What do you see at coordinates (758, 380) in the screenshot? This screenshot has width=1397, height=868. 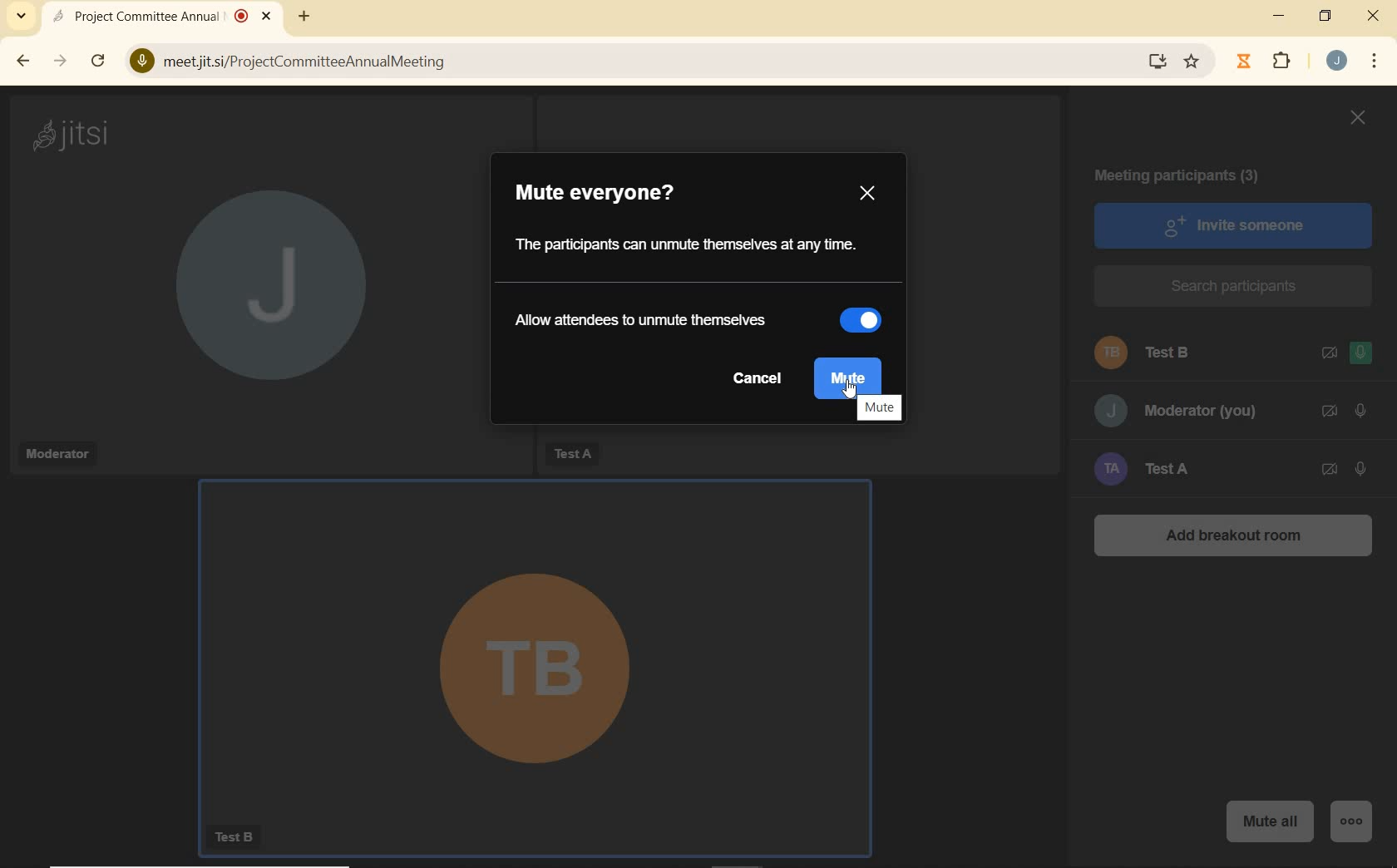 I see `CANCEL` at bounding box center [758, 380].